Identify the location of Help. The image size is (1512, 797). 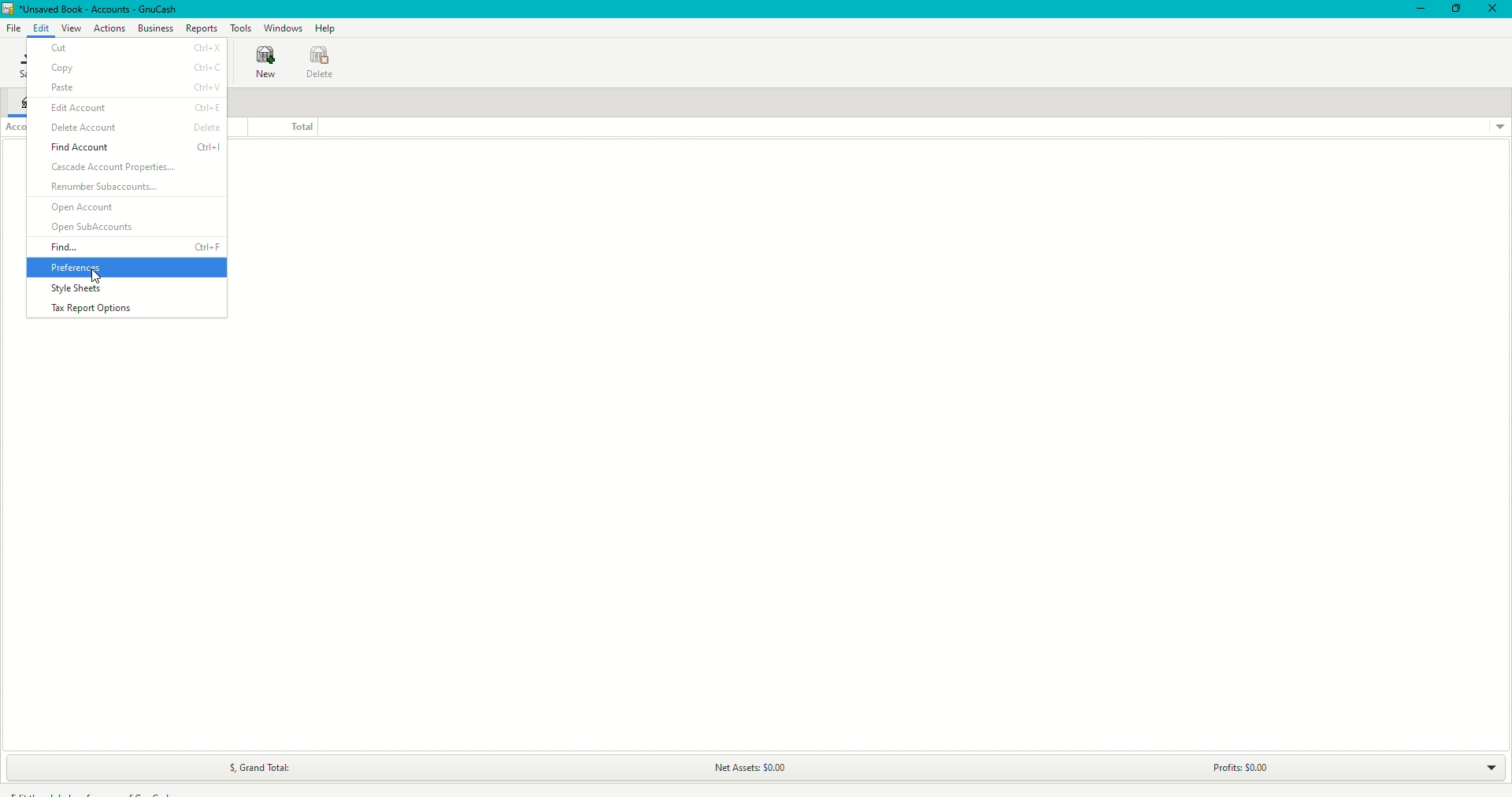
(328, 28).